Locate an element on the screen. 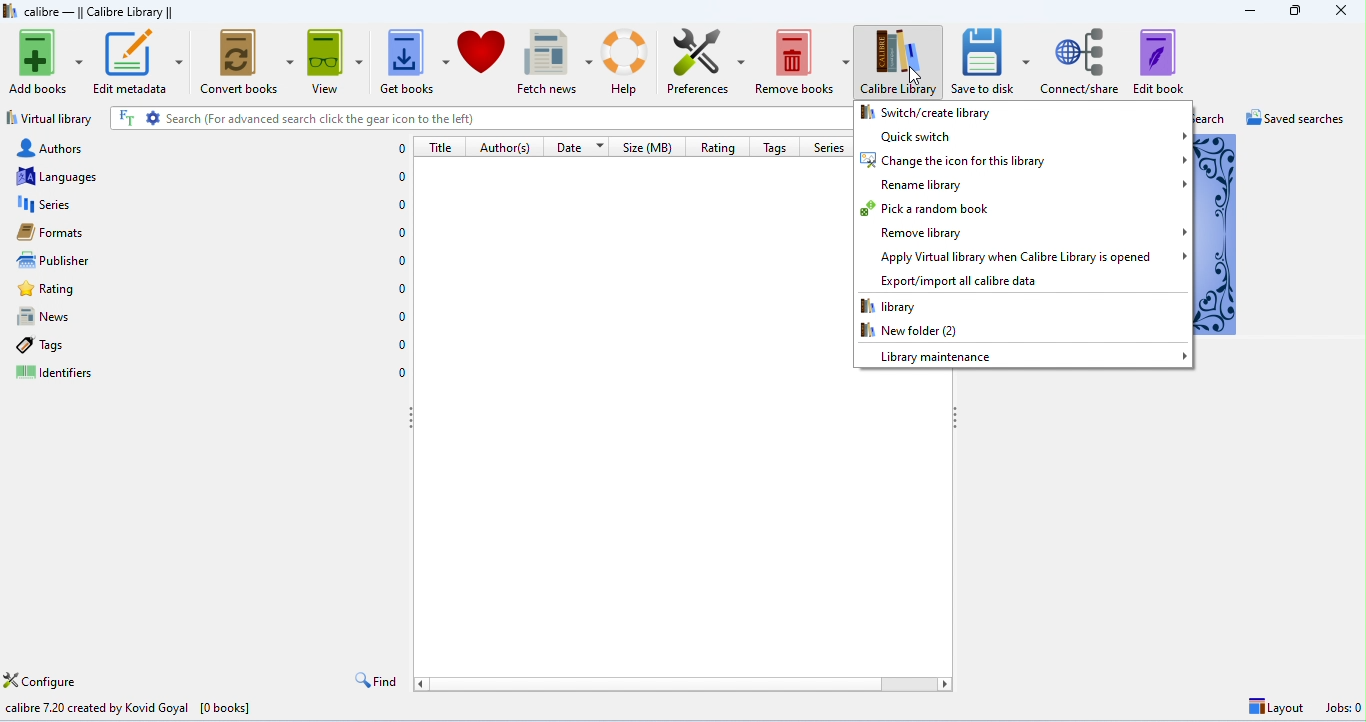  series is located at coordinates (211, 204).